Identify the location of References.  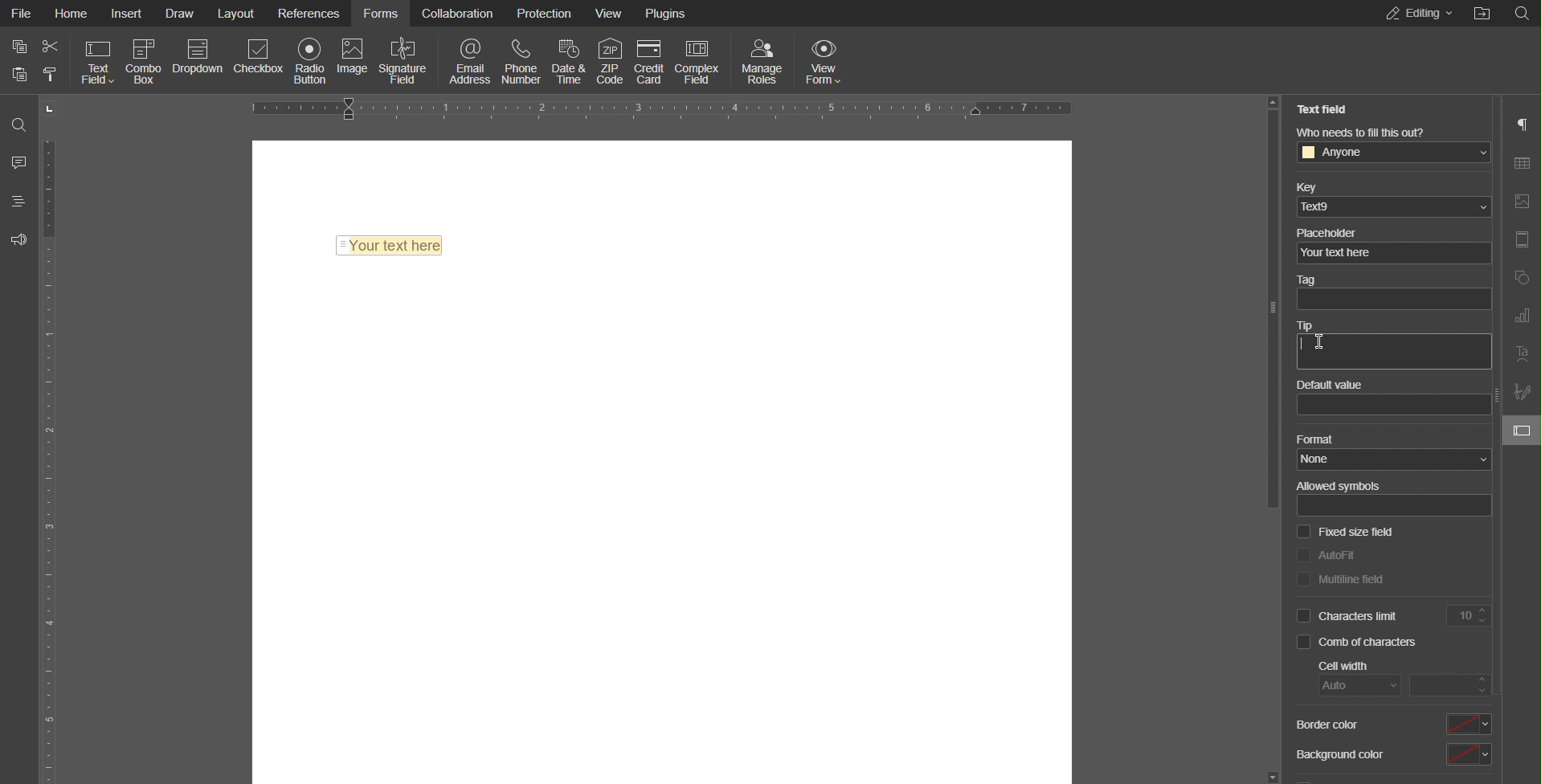
(309, 12).